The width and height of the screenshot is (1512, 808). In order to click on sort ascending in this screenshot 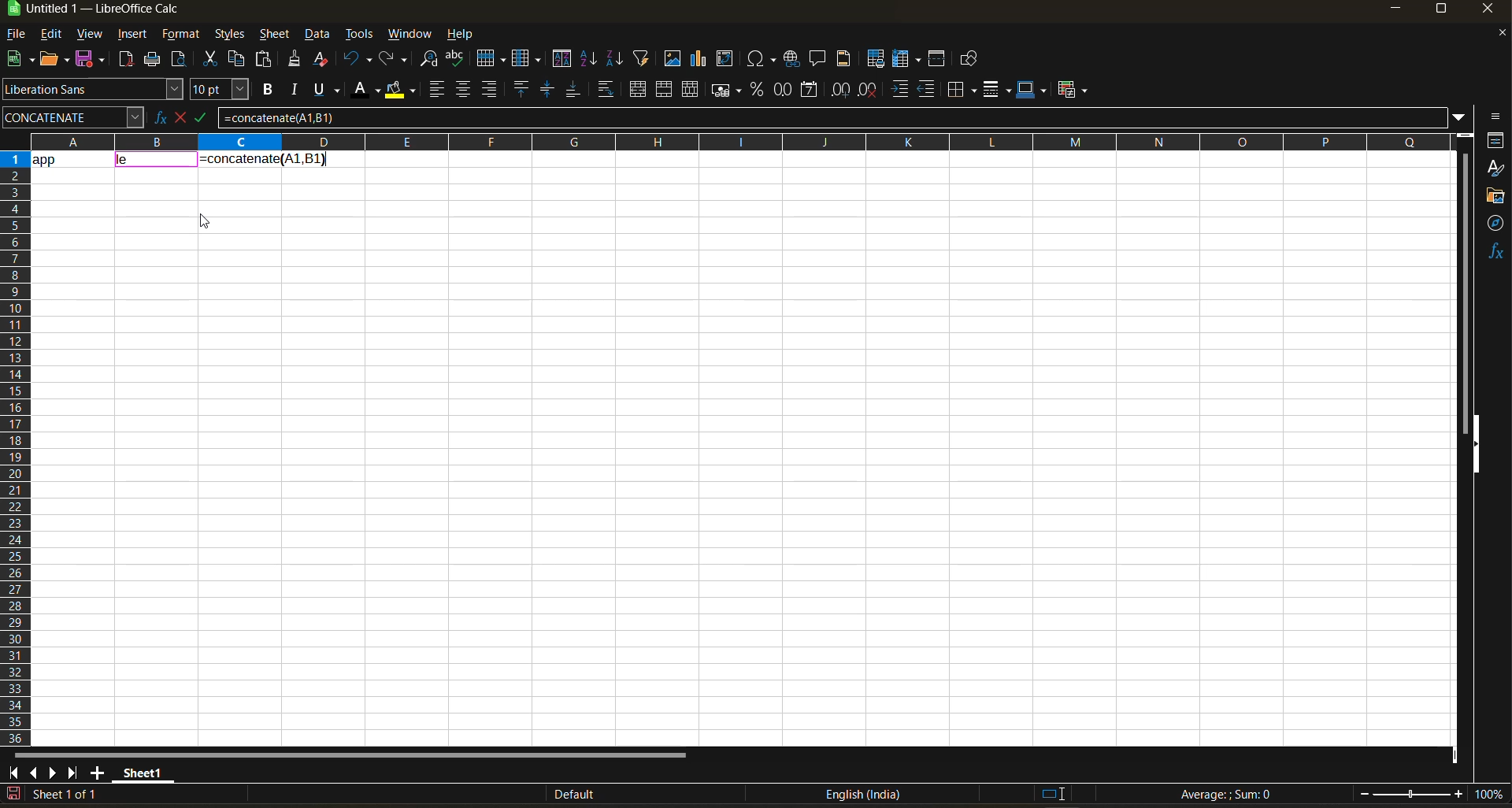, I will do `click(590, 60)`.